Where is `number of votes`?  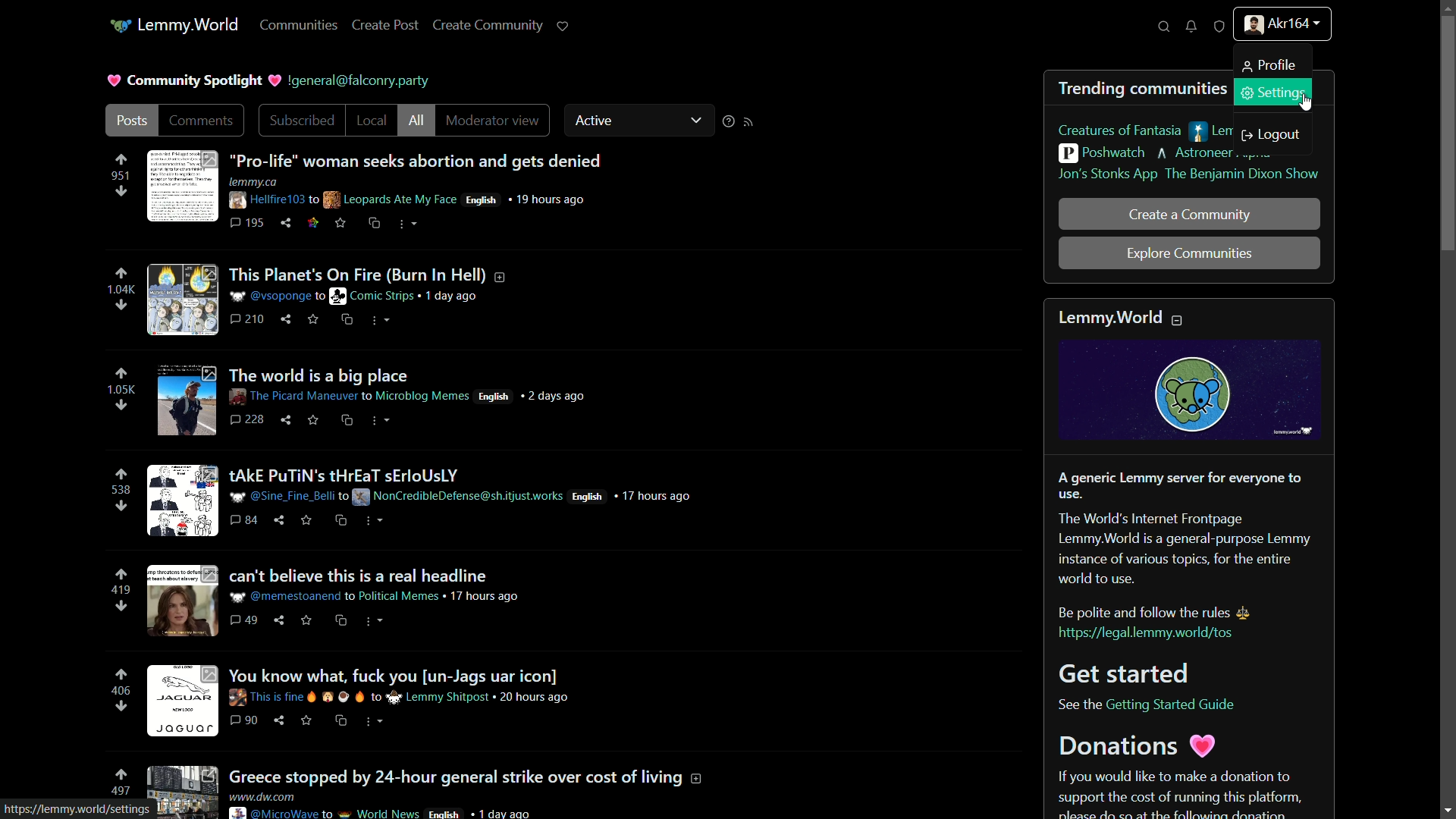 number of votes is located at coordinates (120, 590).